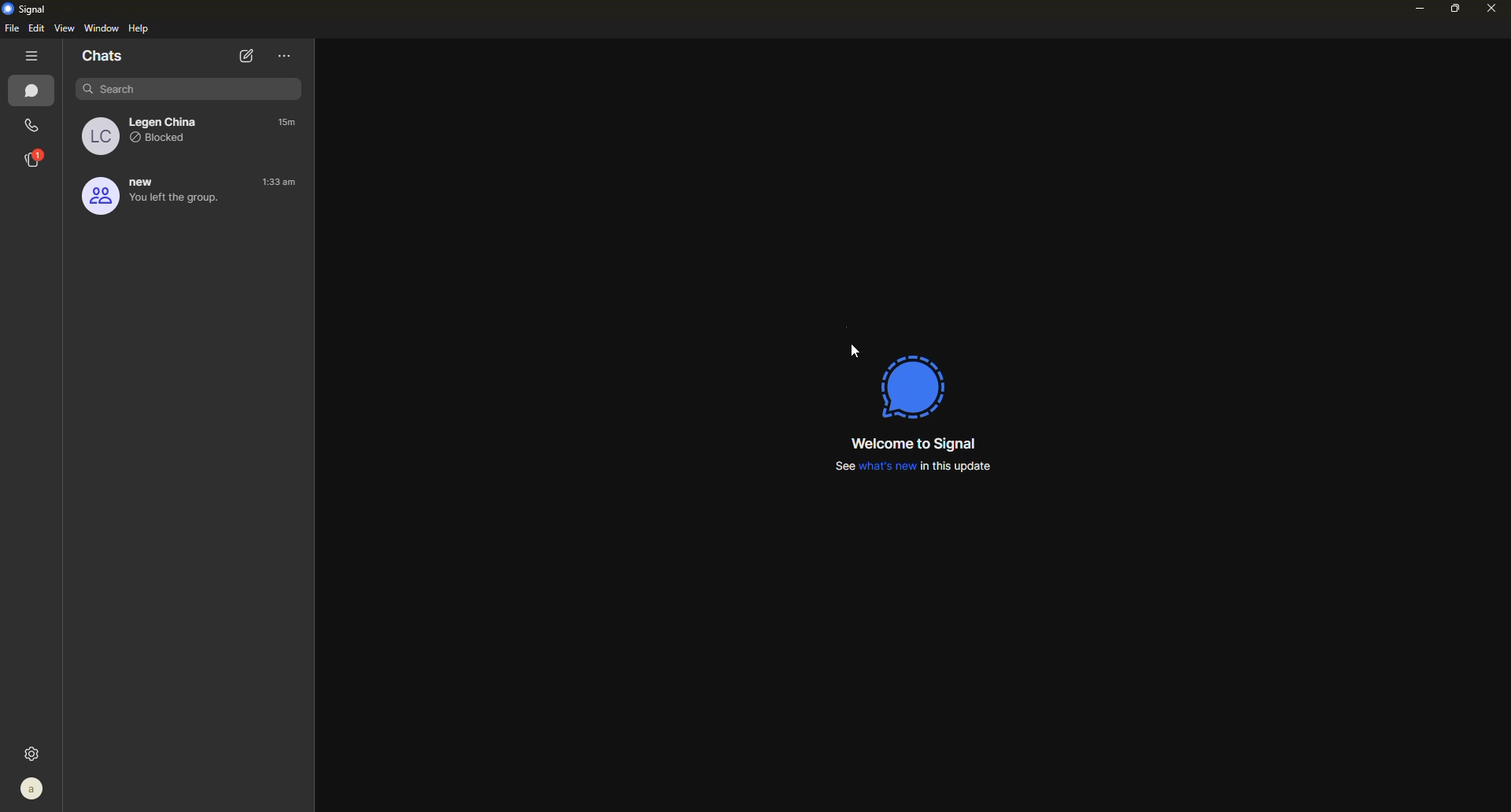 The image size is (1511, 812). I want to click on Legen China, so click(161, 121).